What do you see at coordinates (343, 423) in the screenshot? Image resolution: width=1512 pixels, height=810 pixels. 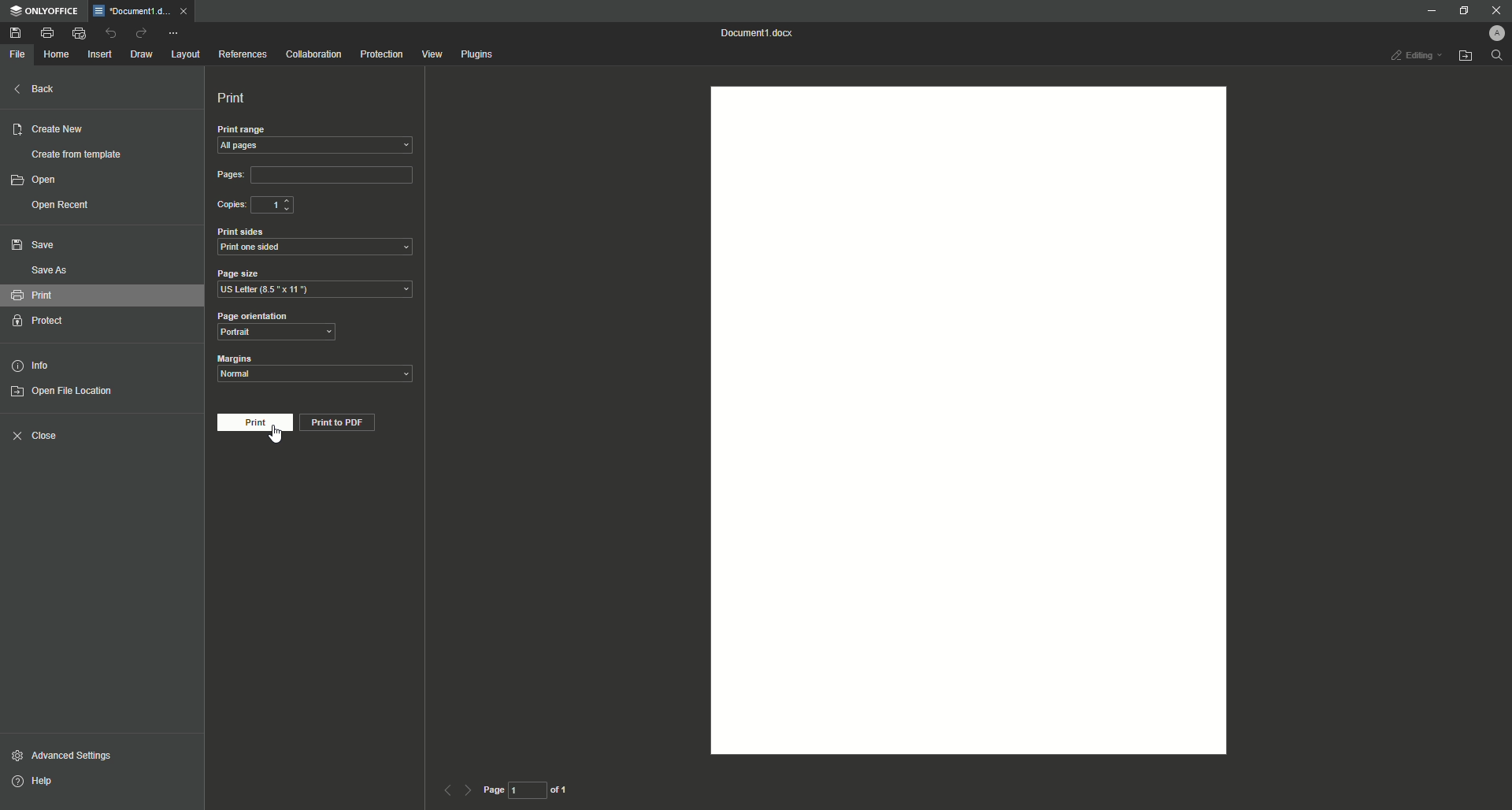 I see `Print to PDF` at bounding box center [343, 423].